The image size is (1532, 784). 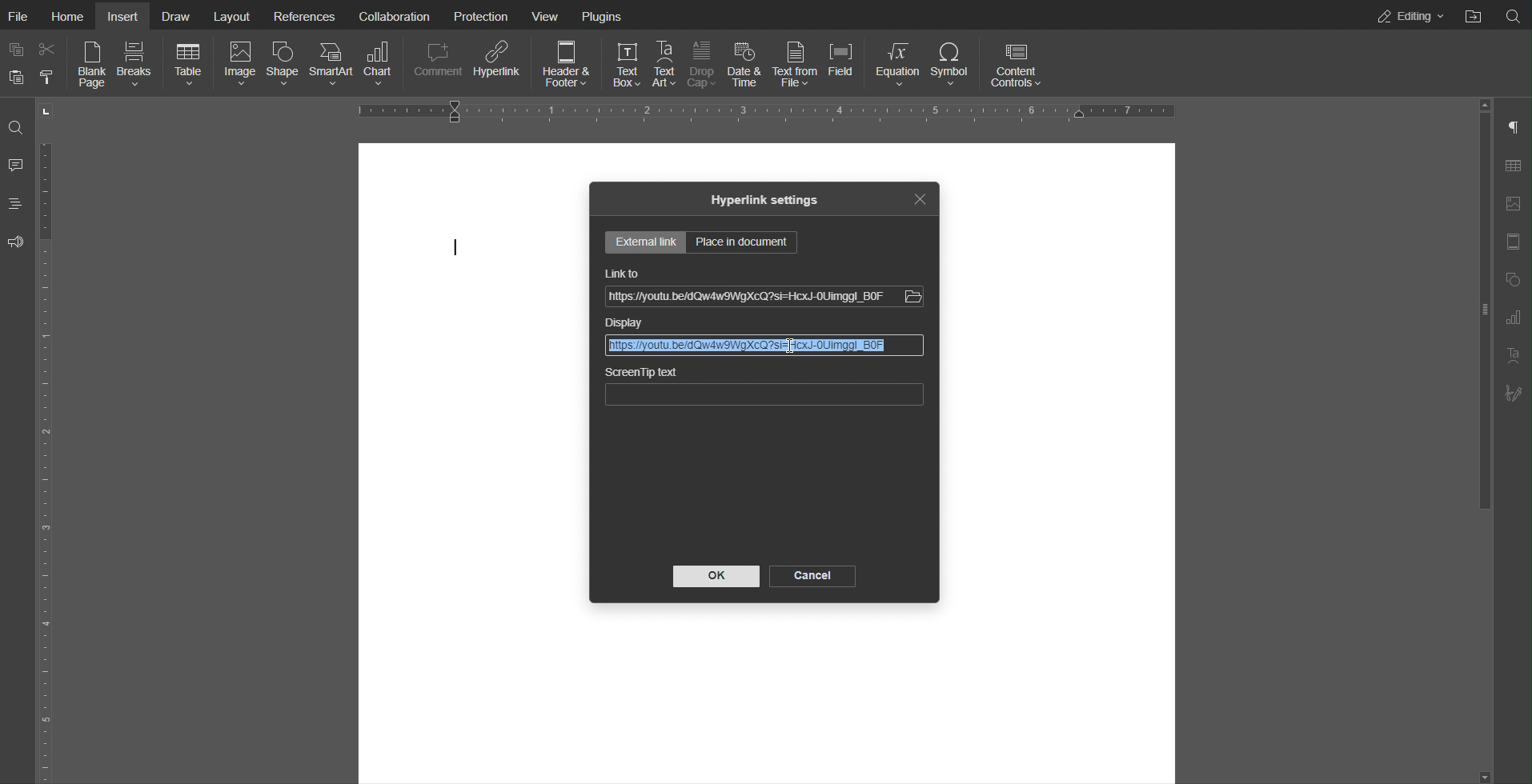 What do you see at coordinates (744, 242) in the screenshot?
I see `Place in document` at bounding box center [744, 242].